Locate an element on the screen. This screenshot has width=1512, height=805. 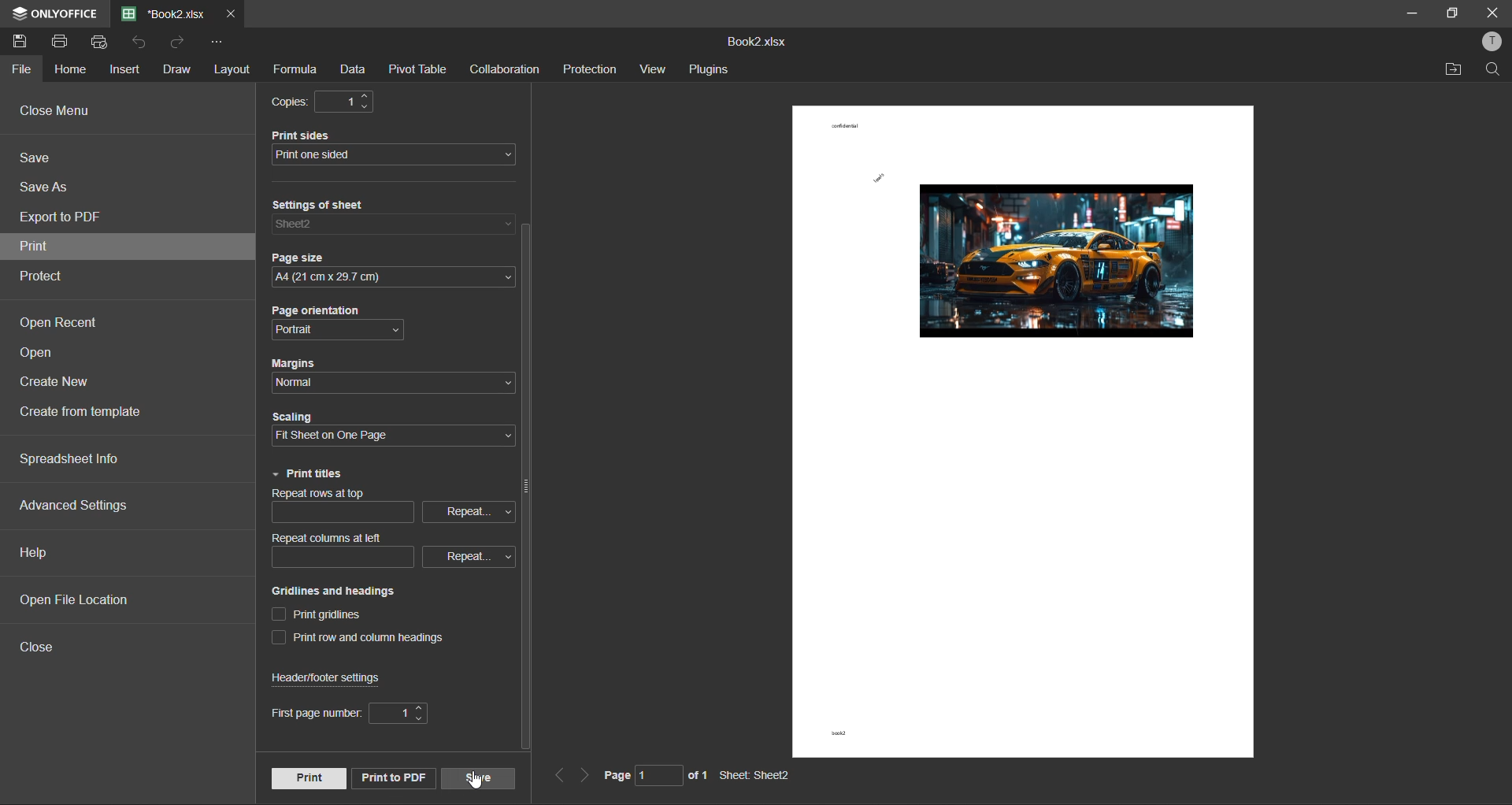
advanced settings is located at coordinates (80, 507).